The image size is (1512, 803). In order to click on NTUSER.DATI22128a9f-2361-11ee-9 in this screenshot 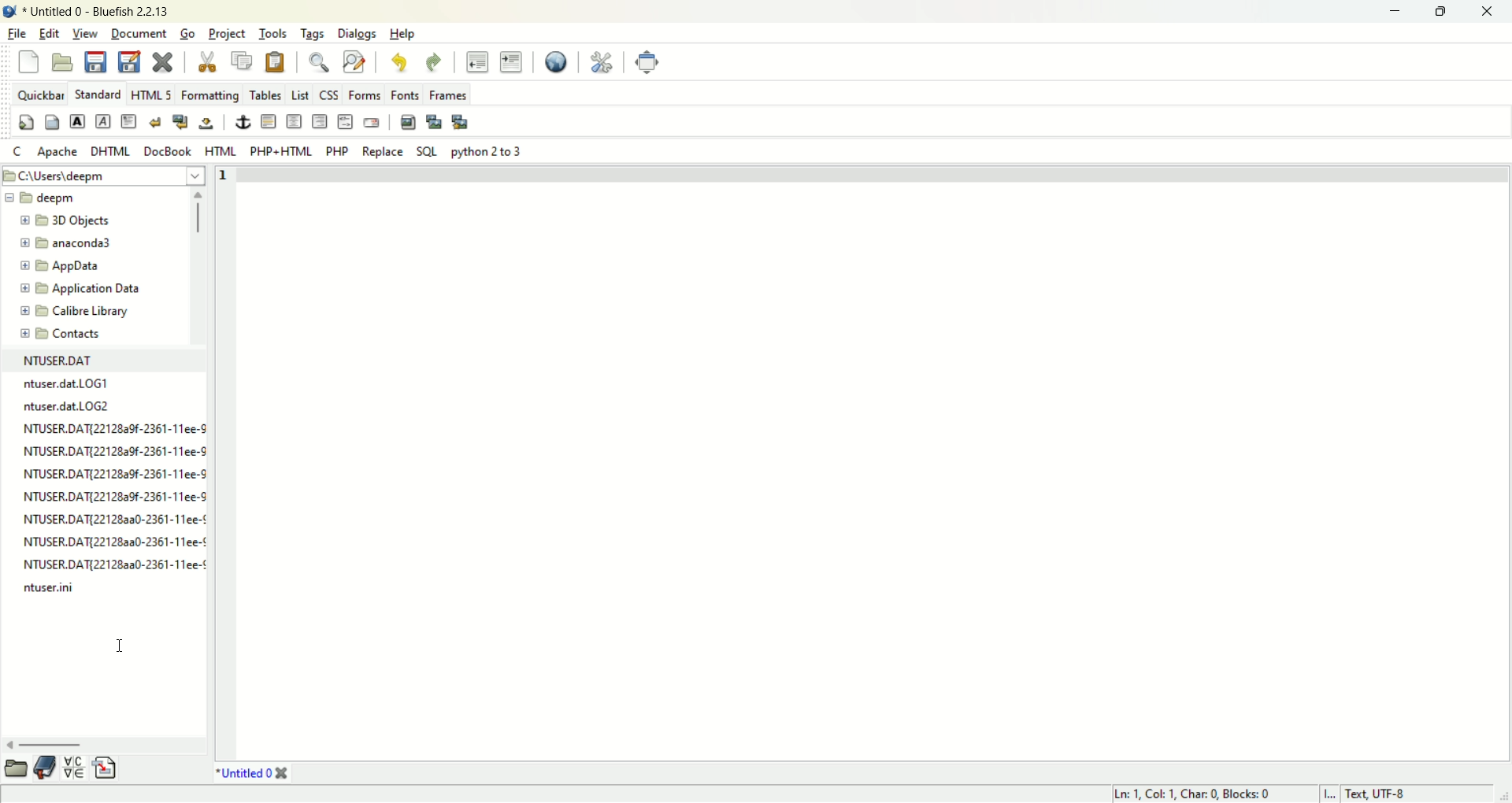, I will do `click(114, 427)`.